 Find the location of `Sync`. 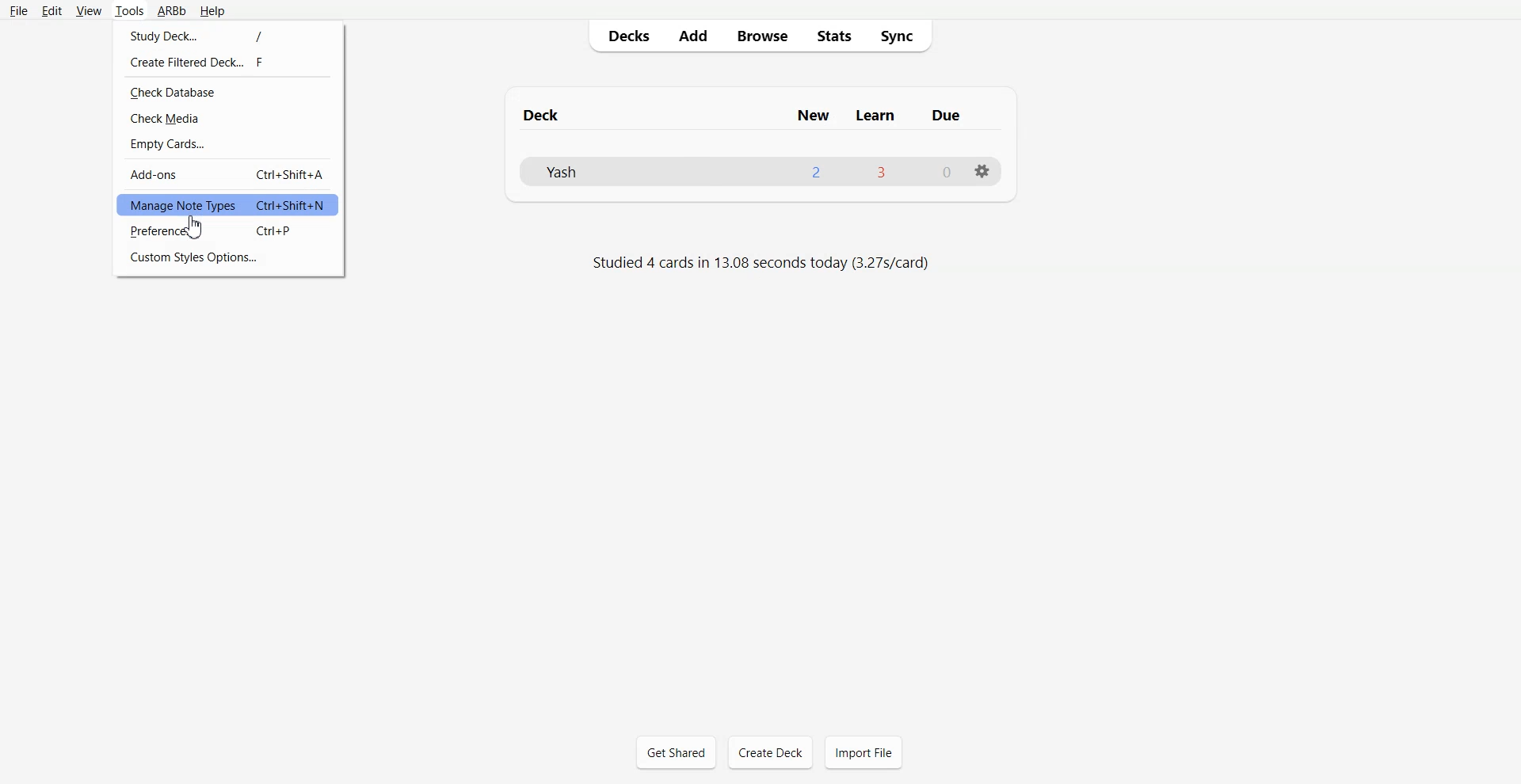

Sync is located at coordinates (902, 35).